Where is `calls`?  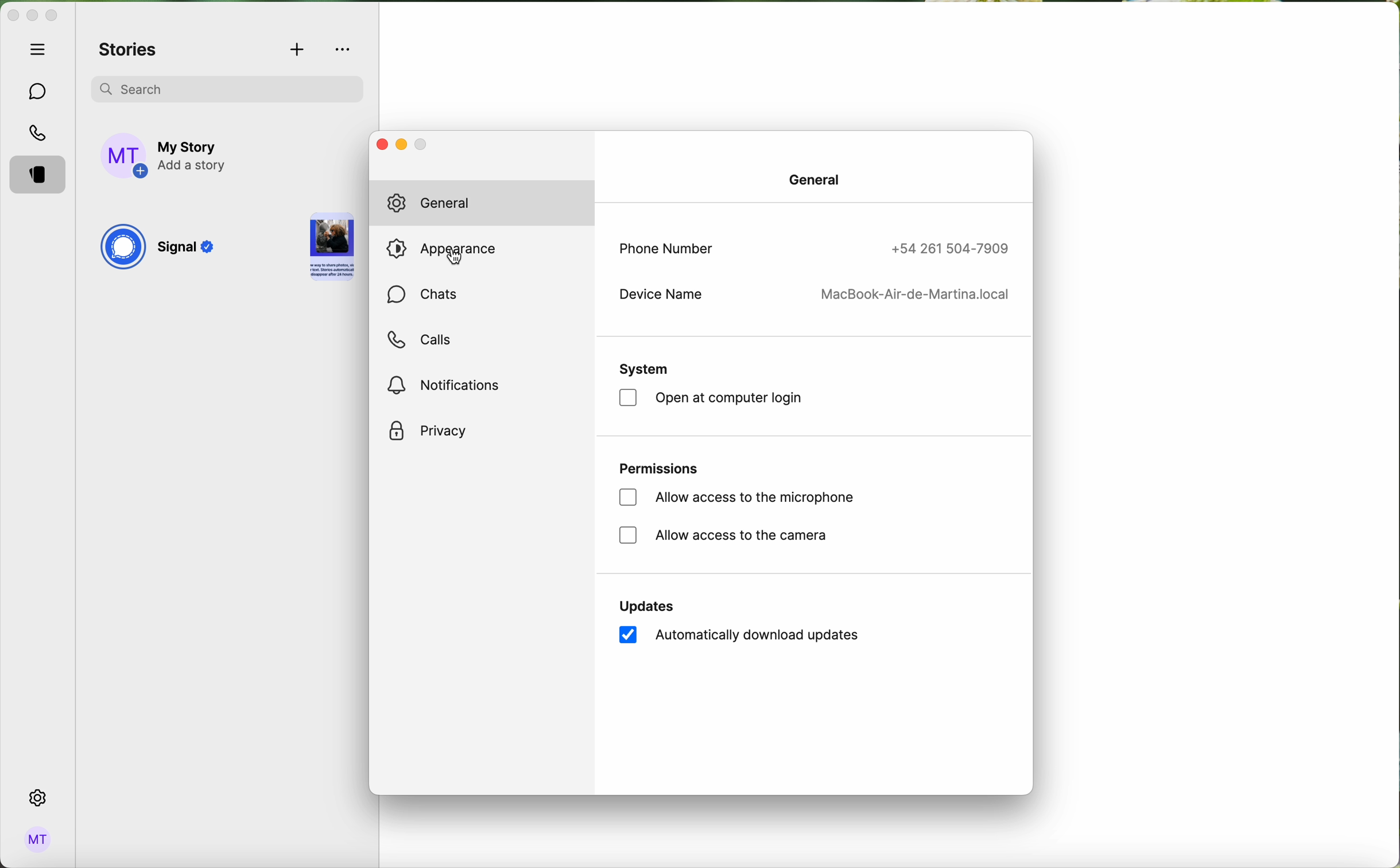 calls is located at coordinates (40, 134).